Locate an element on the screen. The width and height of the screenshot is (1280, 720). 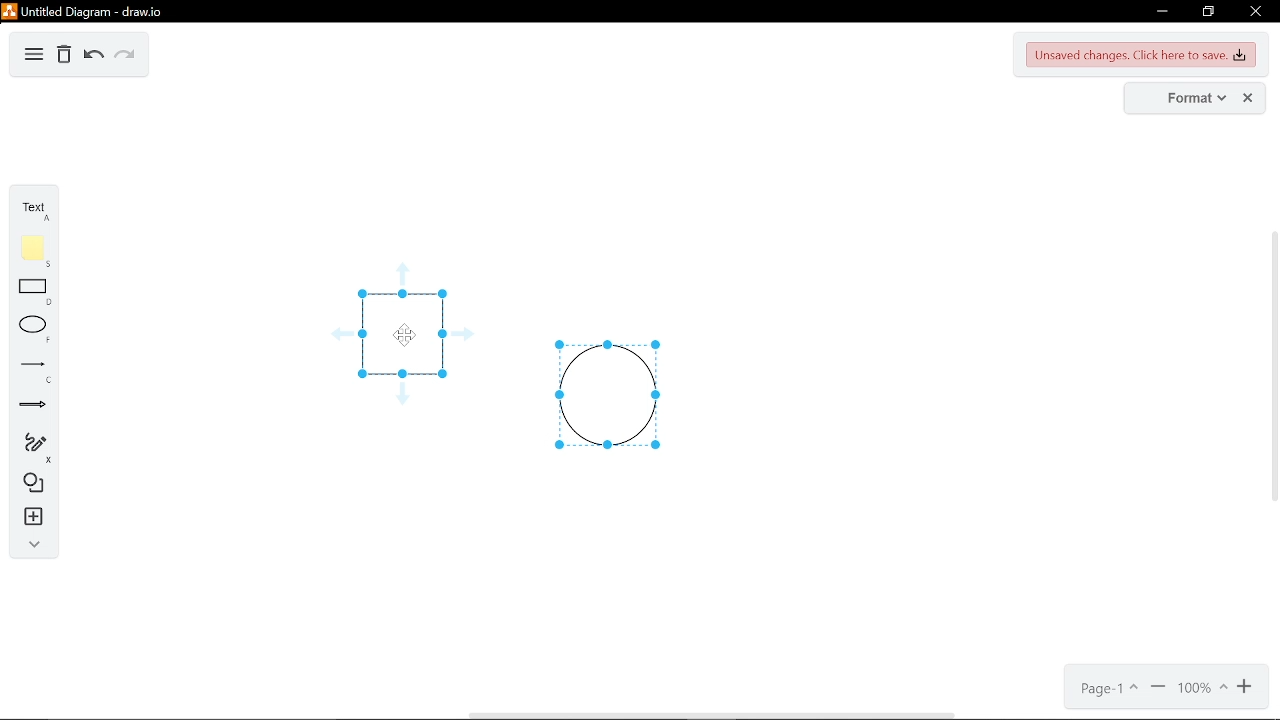
zoom out is located at coordinates (1158, 689).